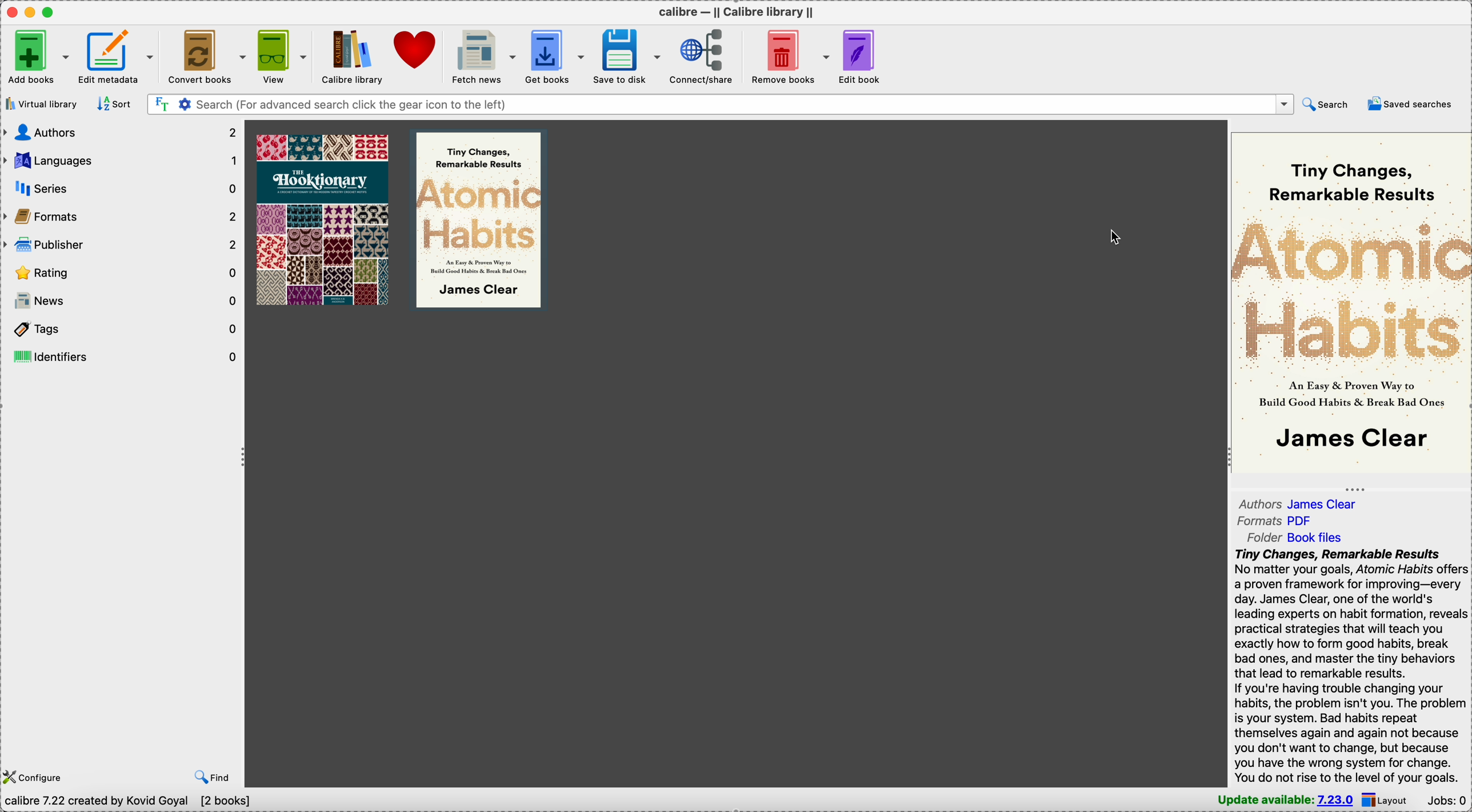 This screenshot has width=1472, height=812. What do you see at coordinates (161, 104) in the screenshot?
I see `search the text of all books in the library` at bounding box center [161, 104].